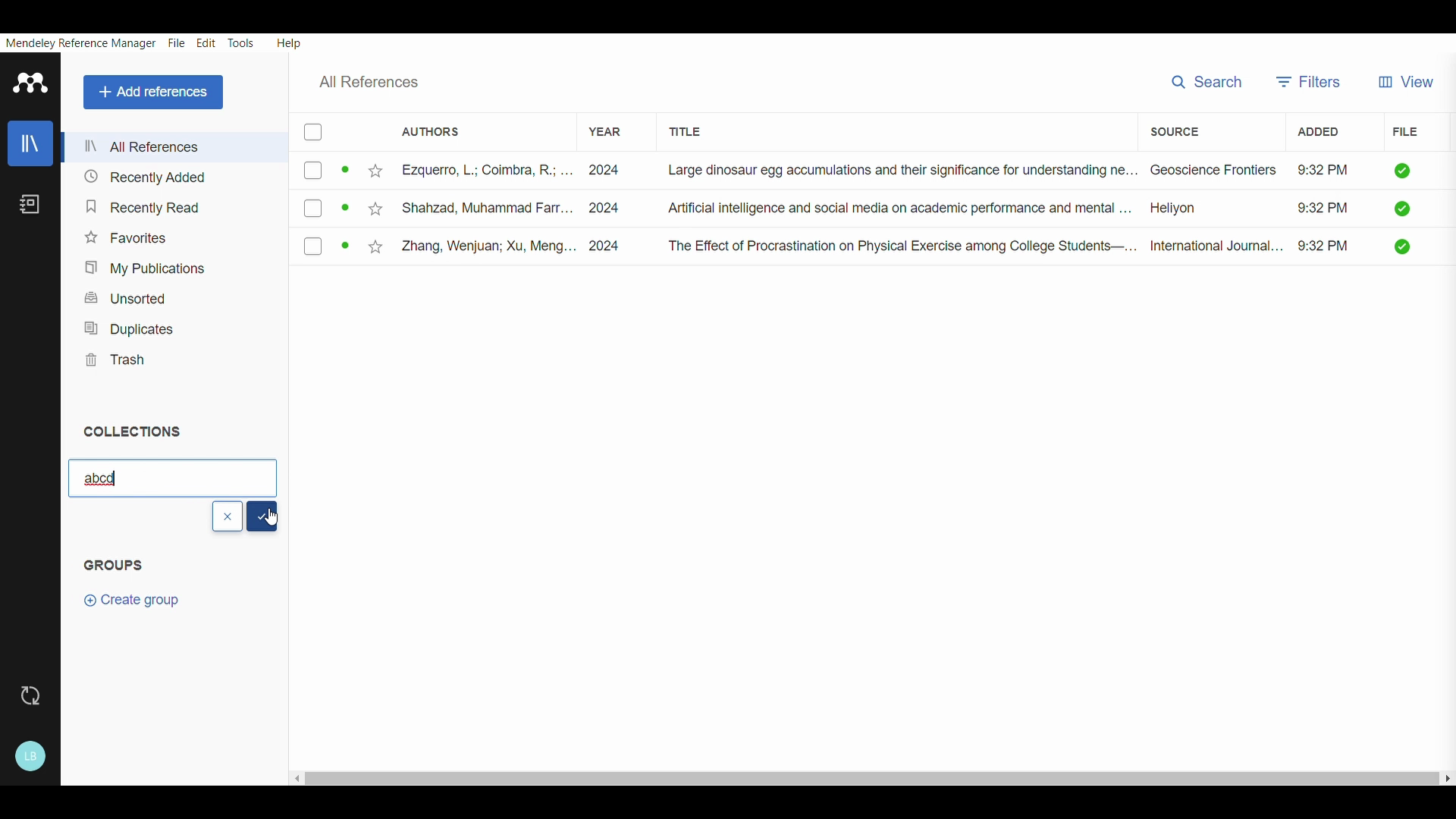 This screenshot has width=1456, height=819. I want to click on My Publications, so click(139, 265).